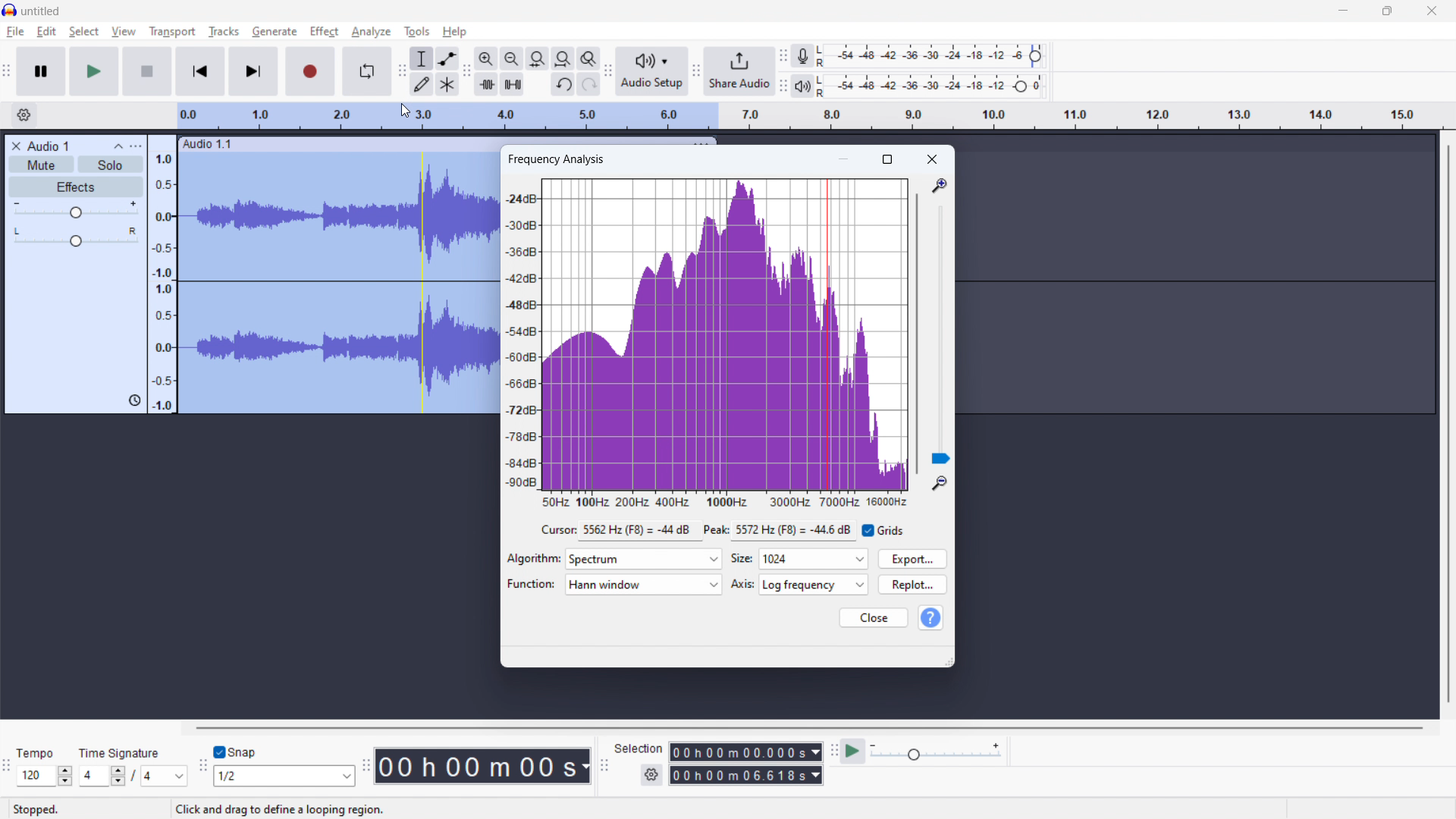  What do you see at coordinates (126, 752) in the screenshot?
I see `Time signature` at bounding box center [126, 752].